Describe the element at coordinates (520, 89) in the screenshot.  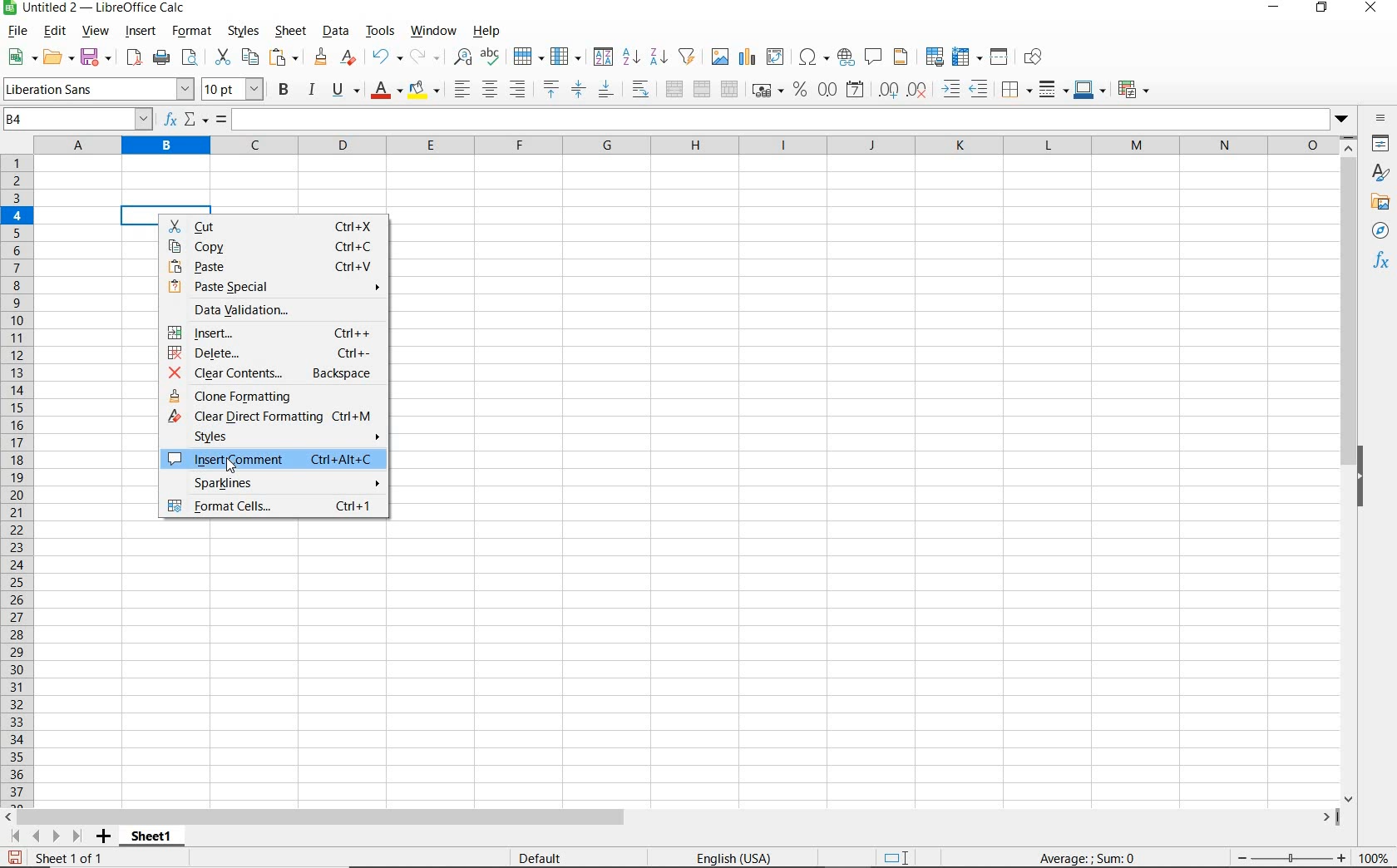
I see `align right` at that location.